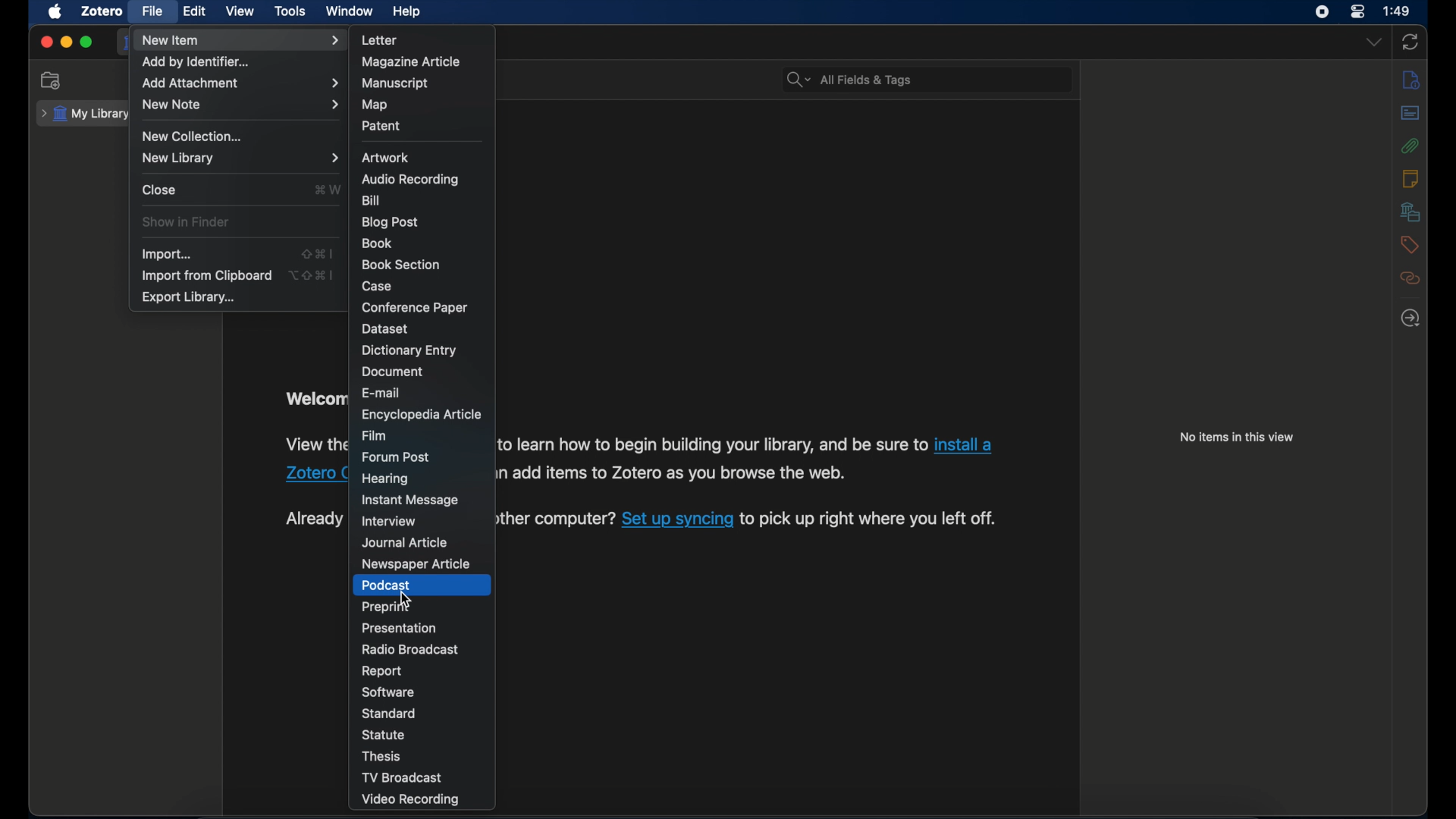 The height and width of the screenshot is (819, 1456). Describe the element at coordinates (312, 516) in the screenshot. I see `Already` at that location.